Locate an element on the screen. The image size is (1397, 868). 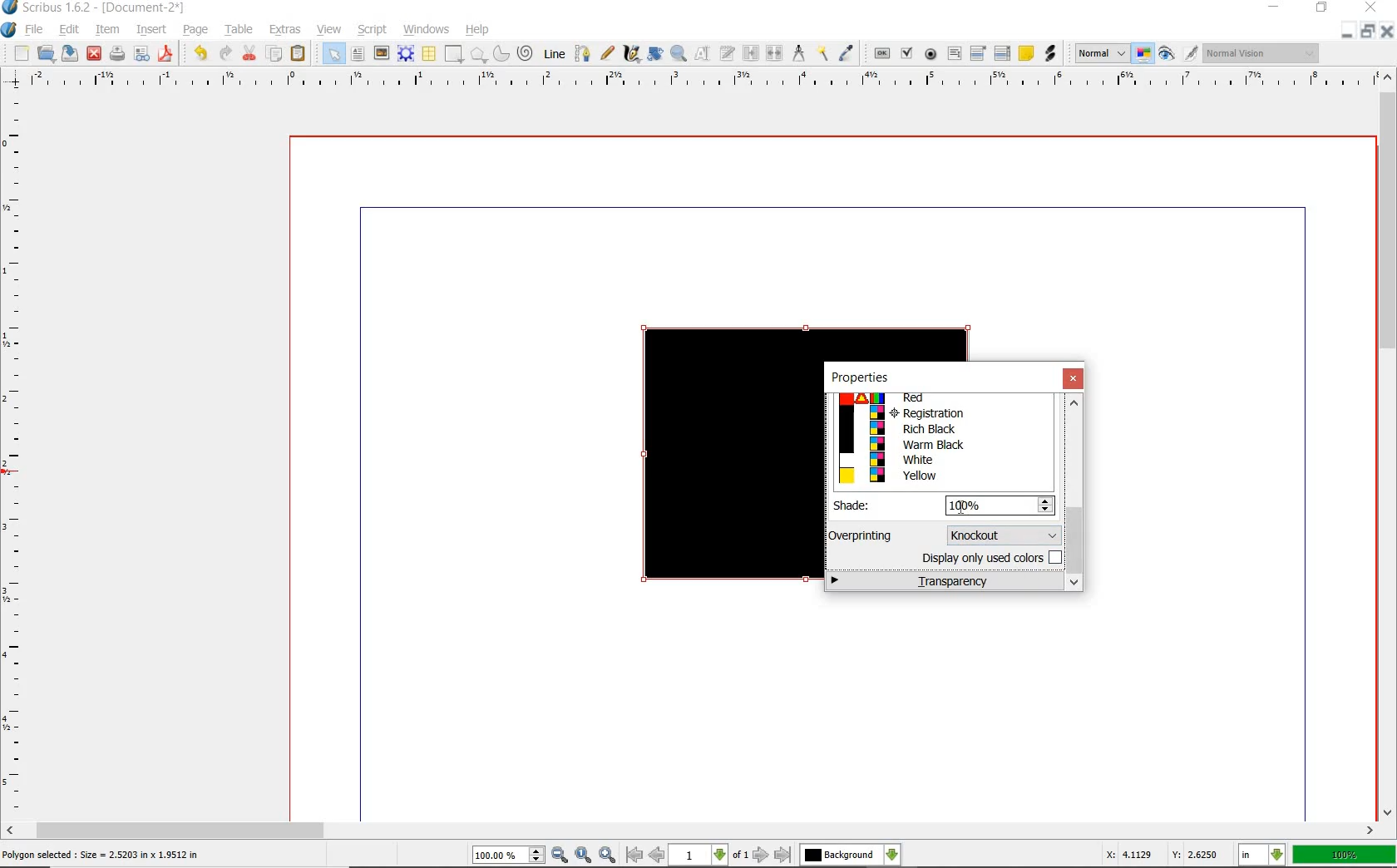
save is located at coordinates (69, 55).